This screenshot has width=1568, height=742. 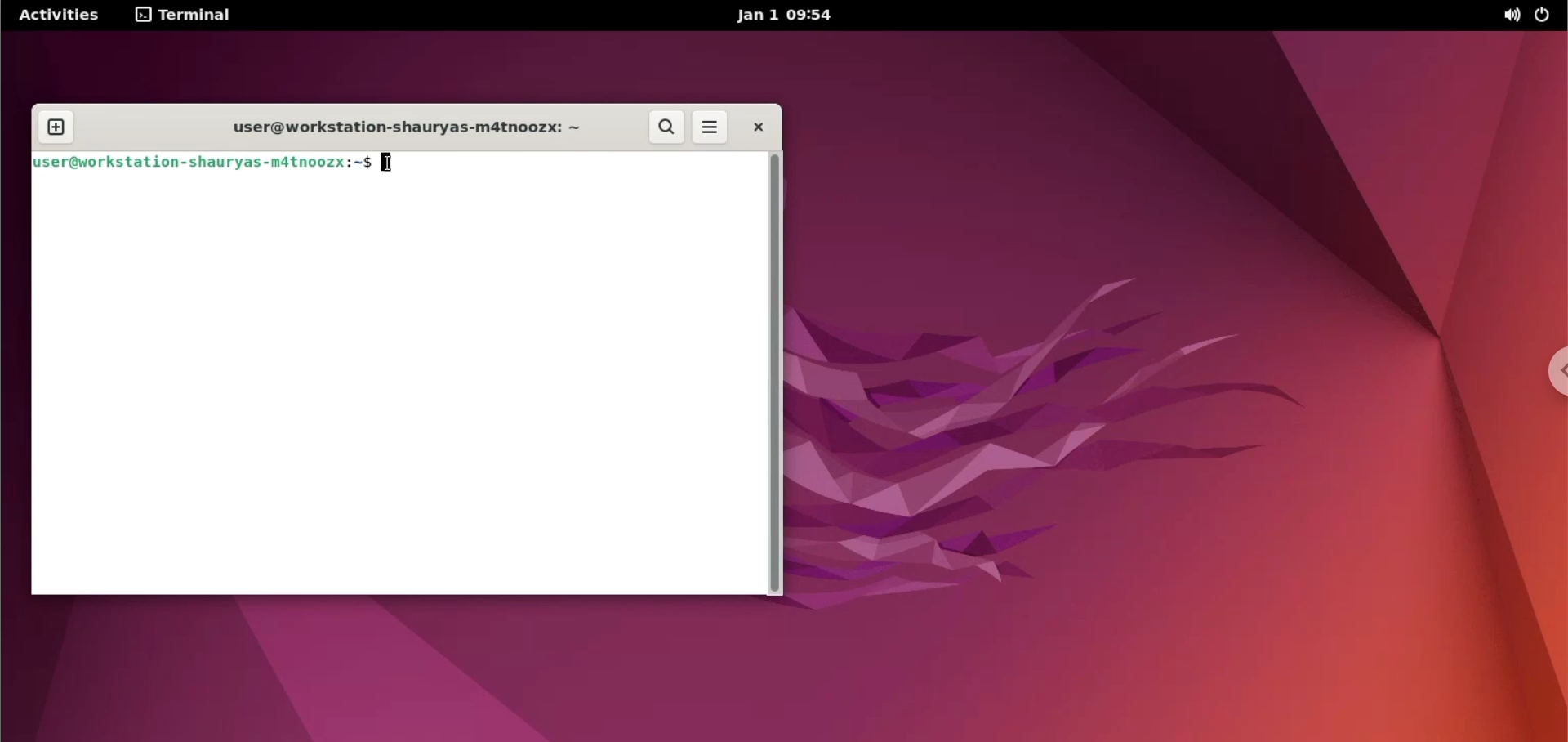 What do you see at coordinates (777, 374) in the screenshot?
I see `scrollbar` at bounding box center [777, 374].